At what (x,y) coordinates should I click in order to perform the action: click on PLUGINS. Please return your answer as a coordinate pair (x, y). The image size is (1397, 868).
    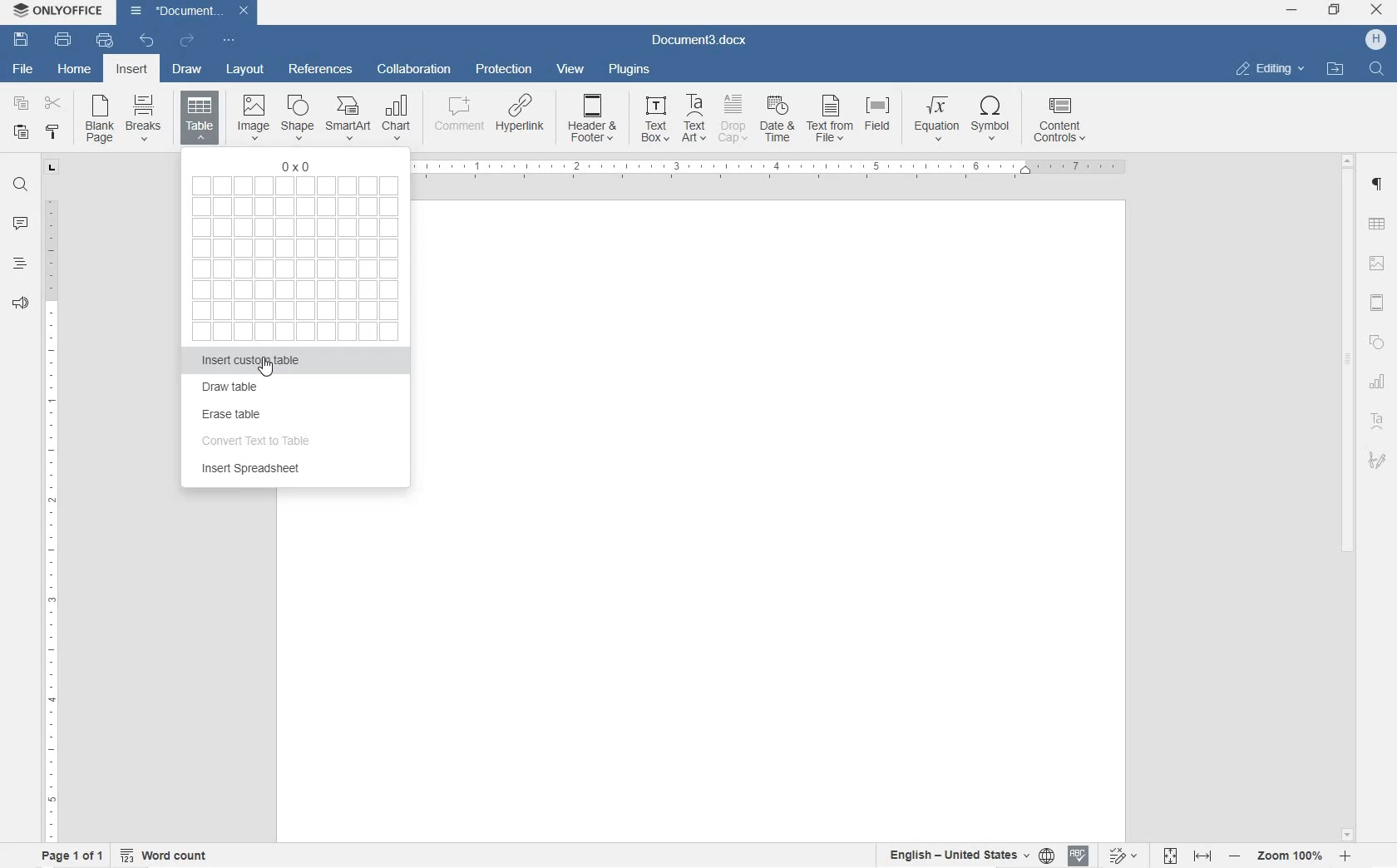
    Looking at the image, I should click on (627, 69).